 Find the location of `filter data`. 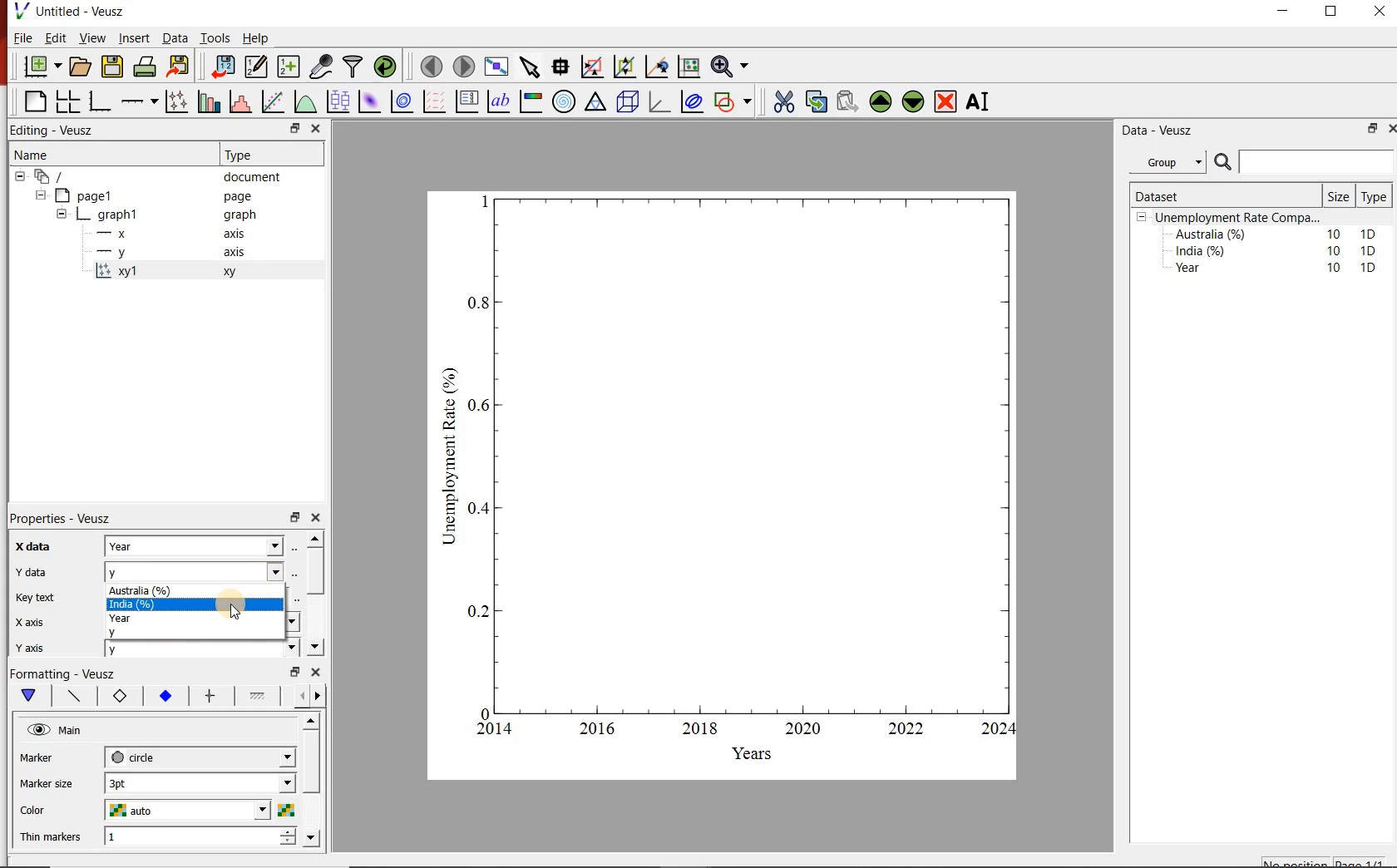

filter data is located at coordinates (352, 67).